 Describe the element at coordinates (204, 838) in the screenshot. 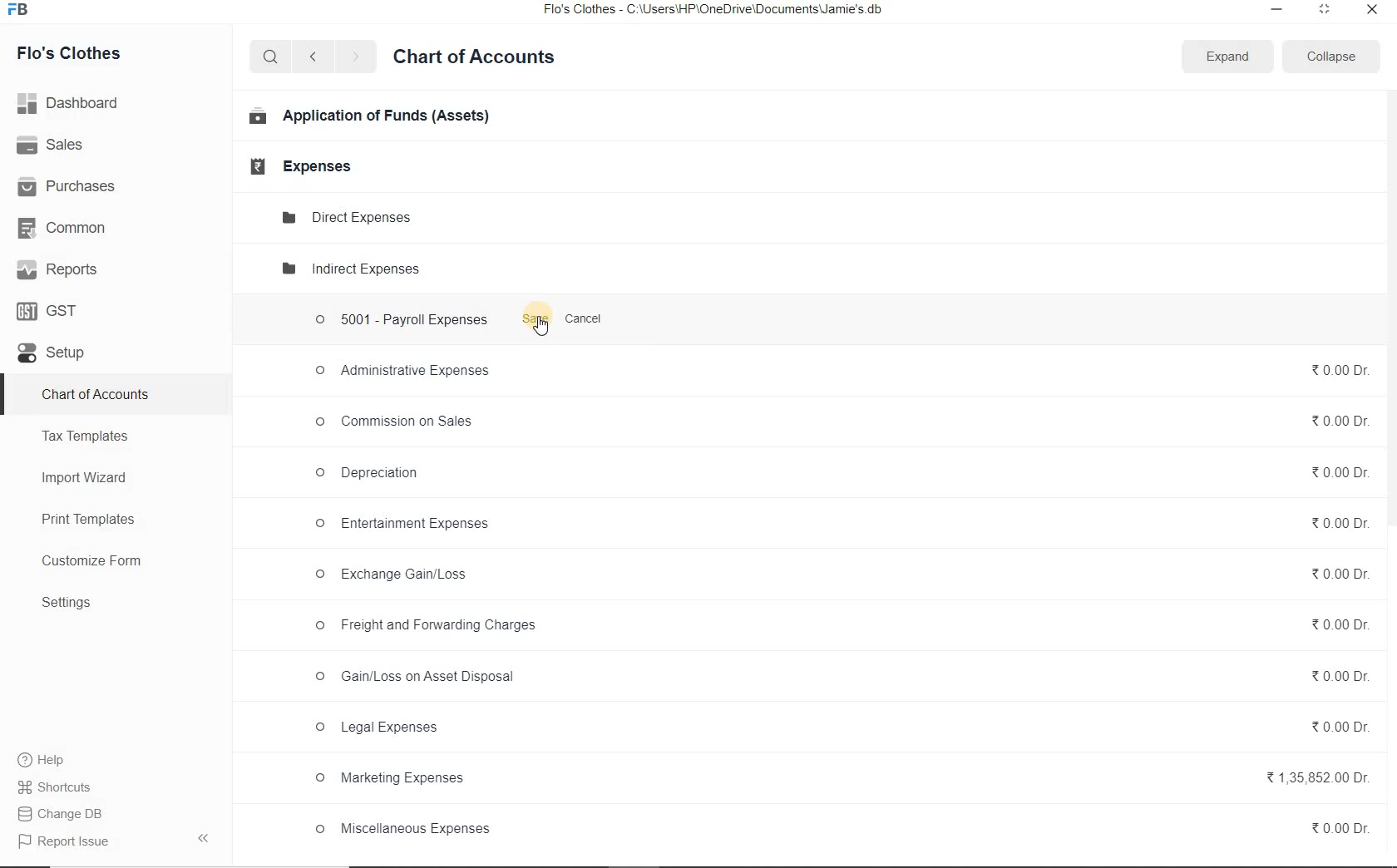

I see `hide` at that location.